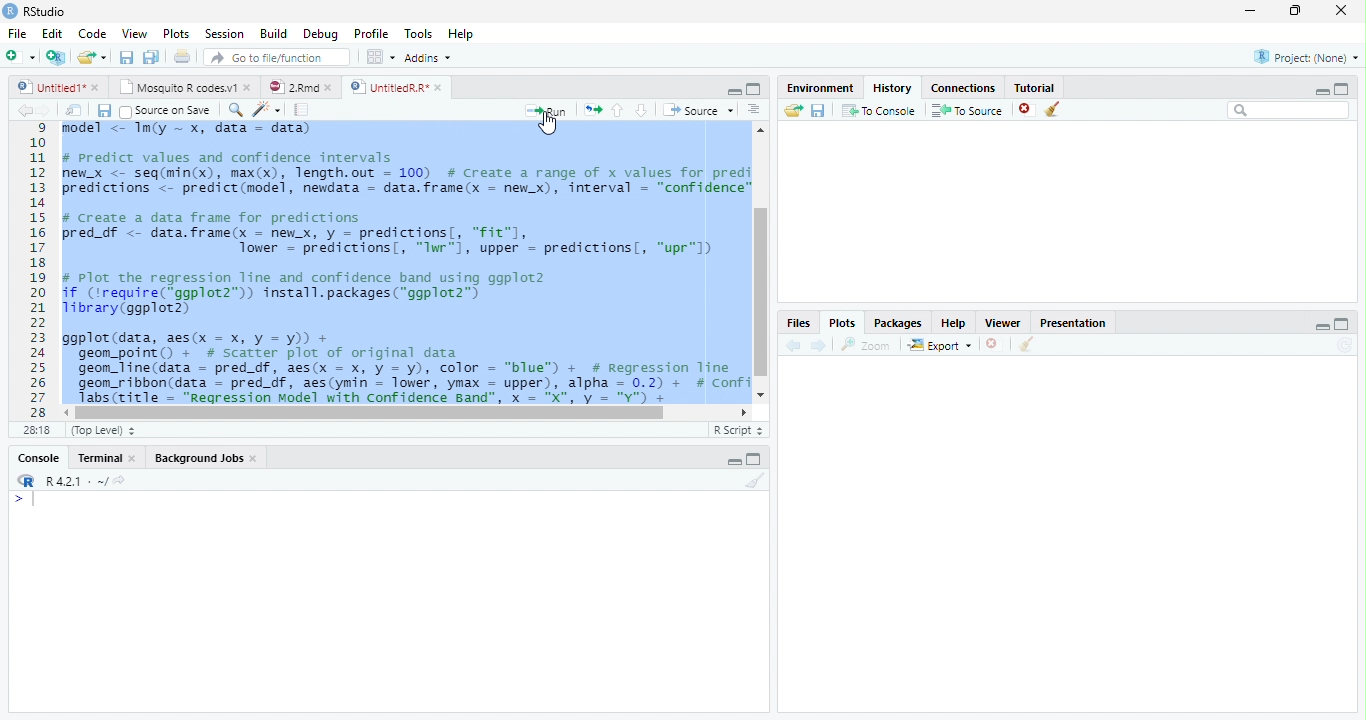 Image resolution: width=1366 pixels, height=720 pixels. Describe the element at coordinates (67, 480) in the screenshot. I see `R 4.2.1` at that location.